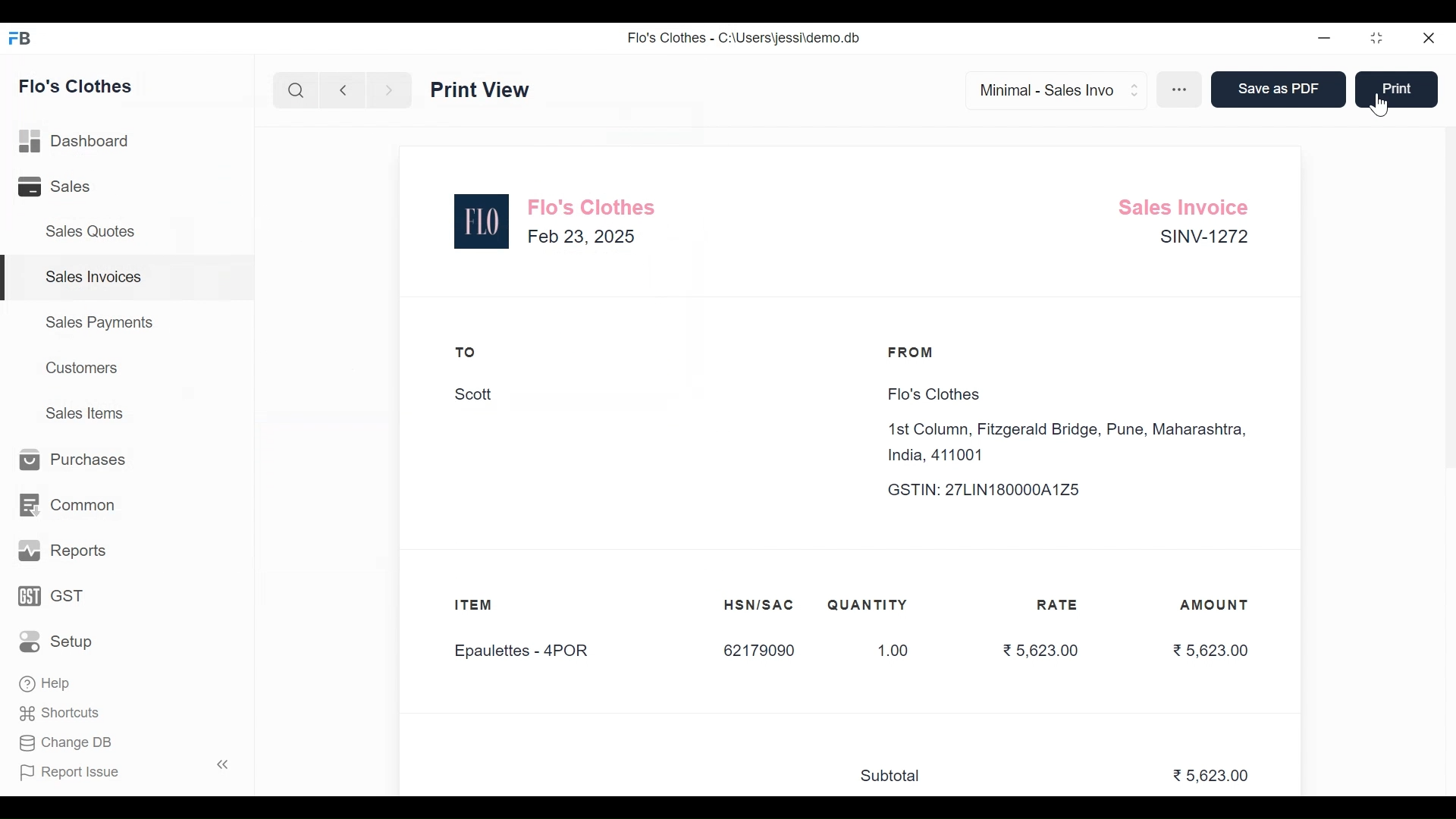  Describe the element at coordinates (1136, 88) in the screenshot. I see `Expand` at that location.